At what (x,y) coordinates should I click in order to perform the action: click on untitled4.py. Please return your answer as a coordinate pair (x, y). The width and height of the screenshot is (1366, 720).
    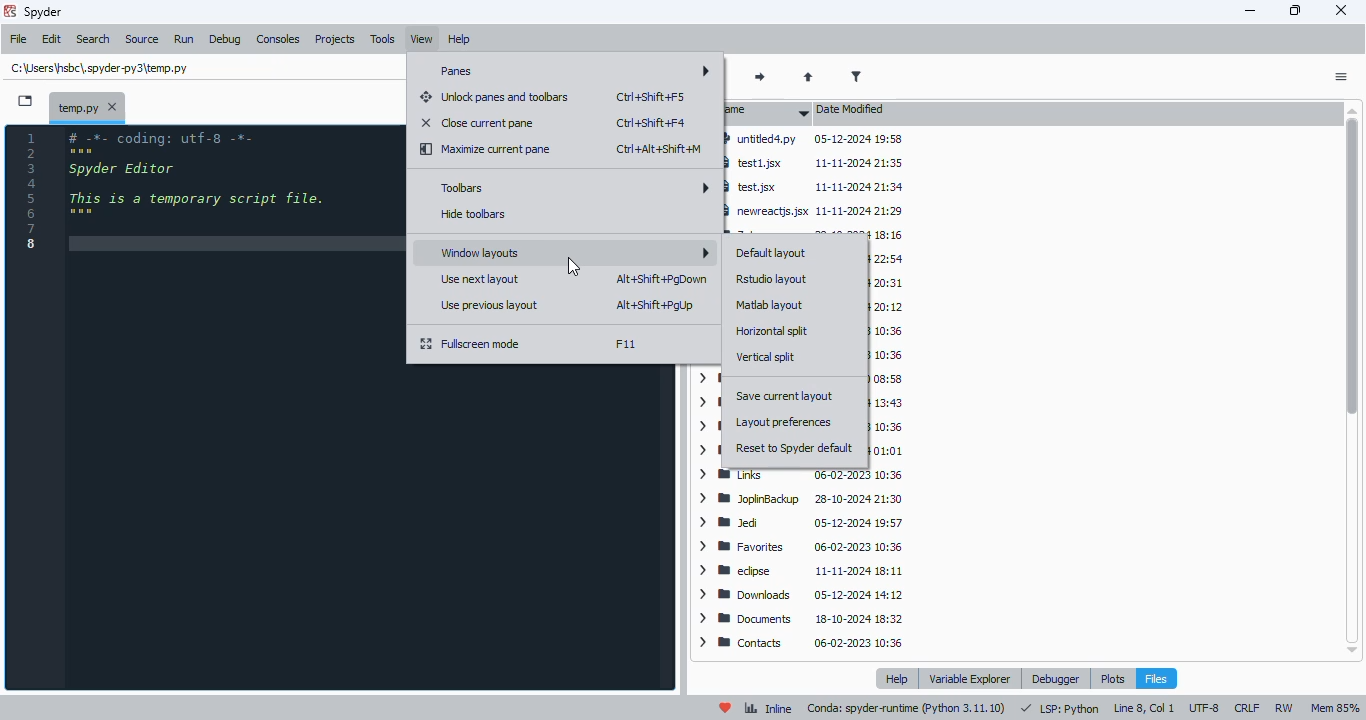
    Looking at the image, I should click on (813, 139).